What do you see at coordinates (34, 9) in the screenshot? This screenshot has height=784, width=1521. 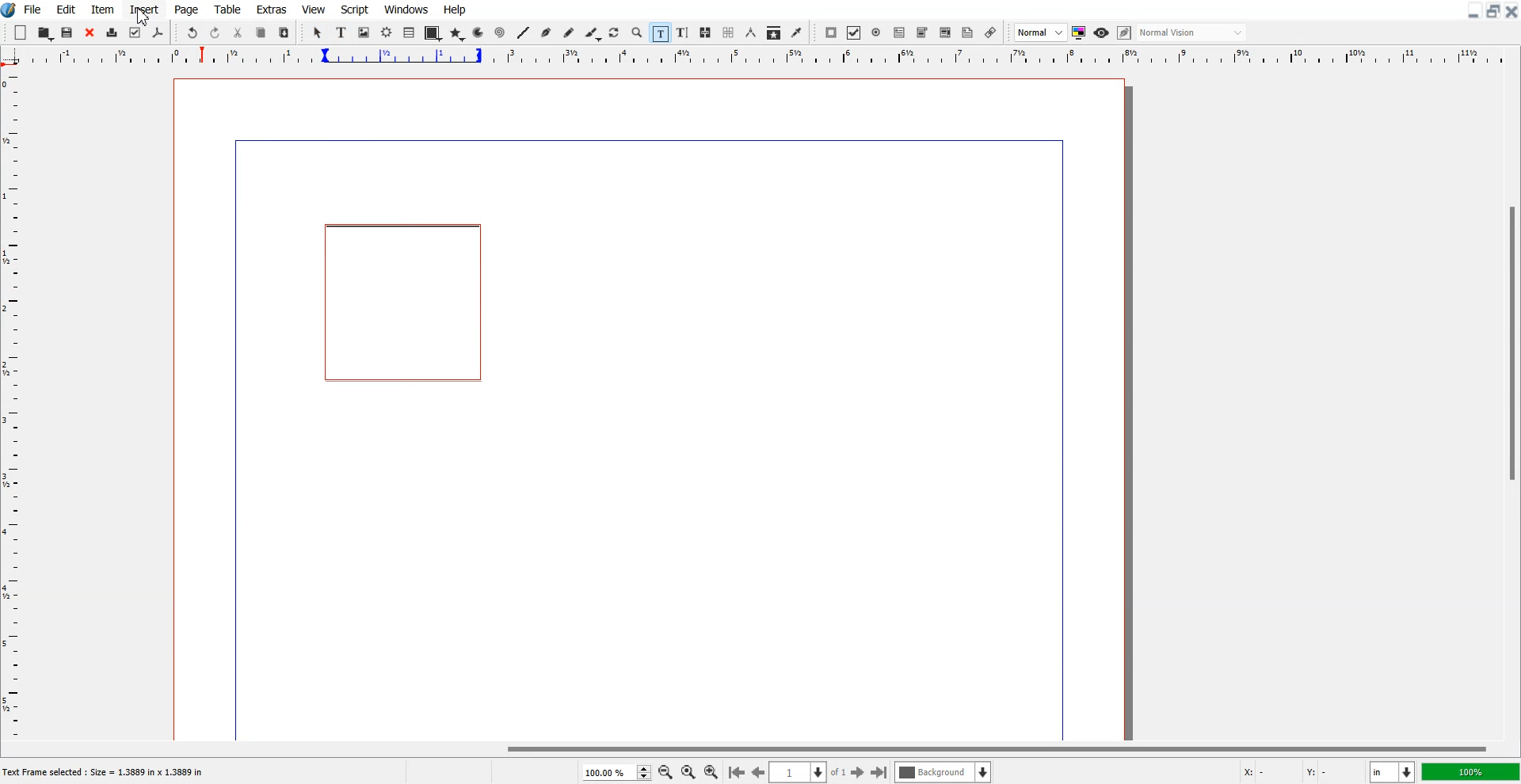 I see `File` at bounding box center [34, 9].